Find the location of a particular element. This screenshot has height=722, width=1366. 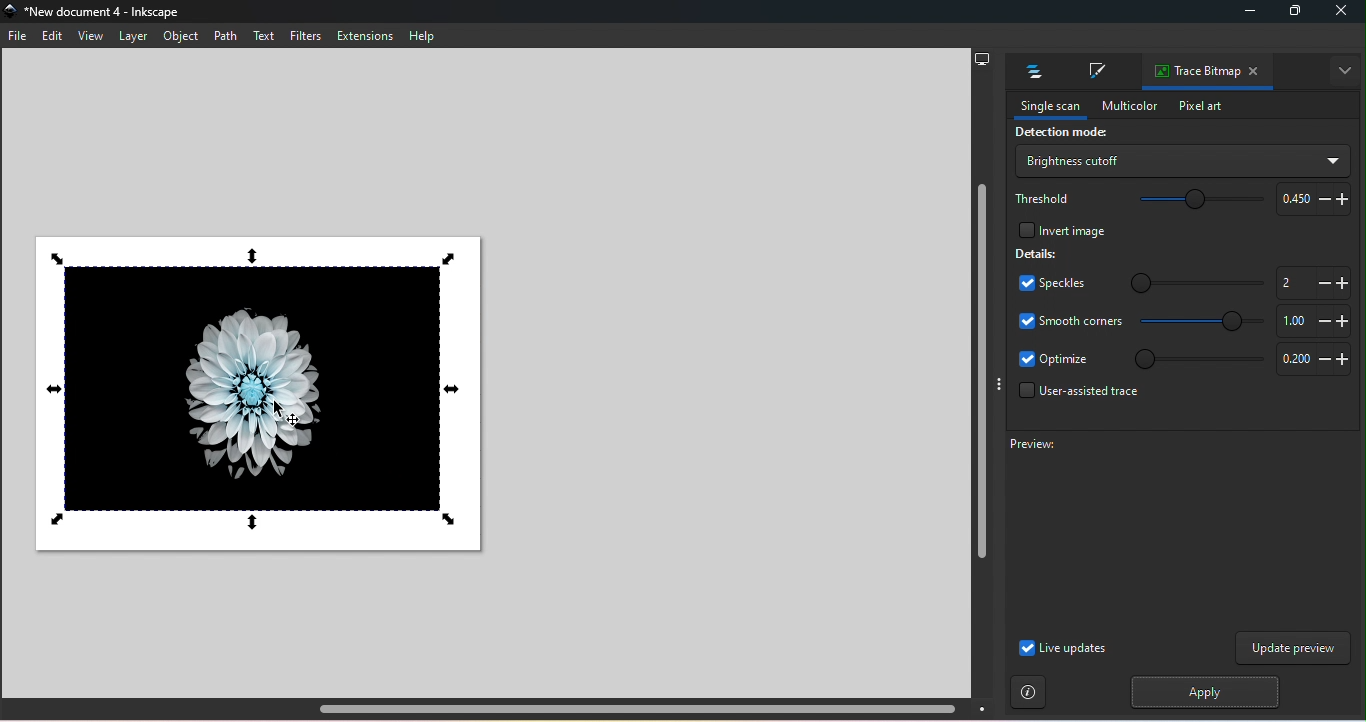

File name is located at coordinates (100, 13).